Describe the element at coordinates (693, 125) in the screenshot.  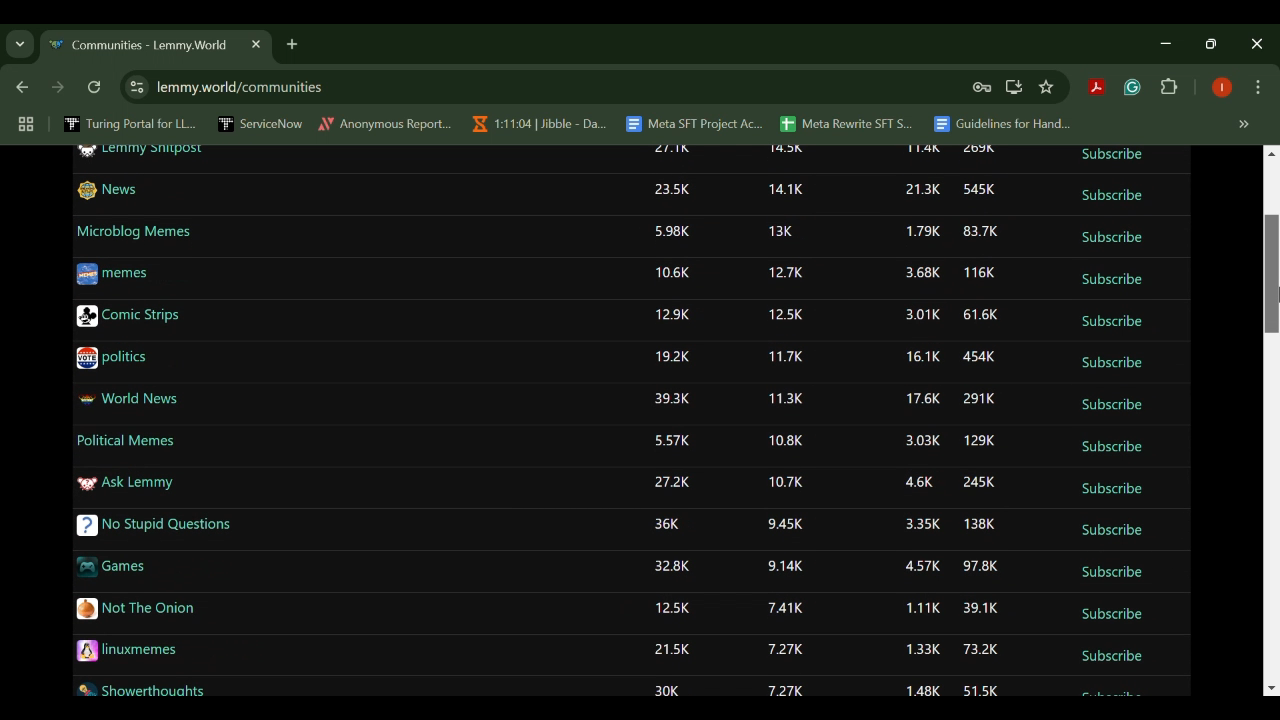
I see `Meta SFT Project Ac...` at that location.